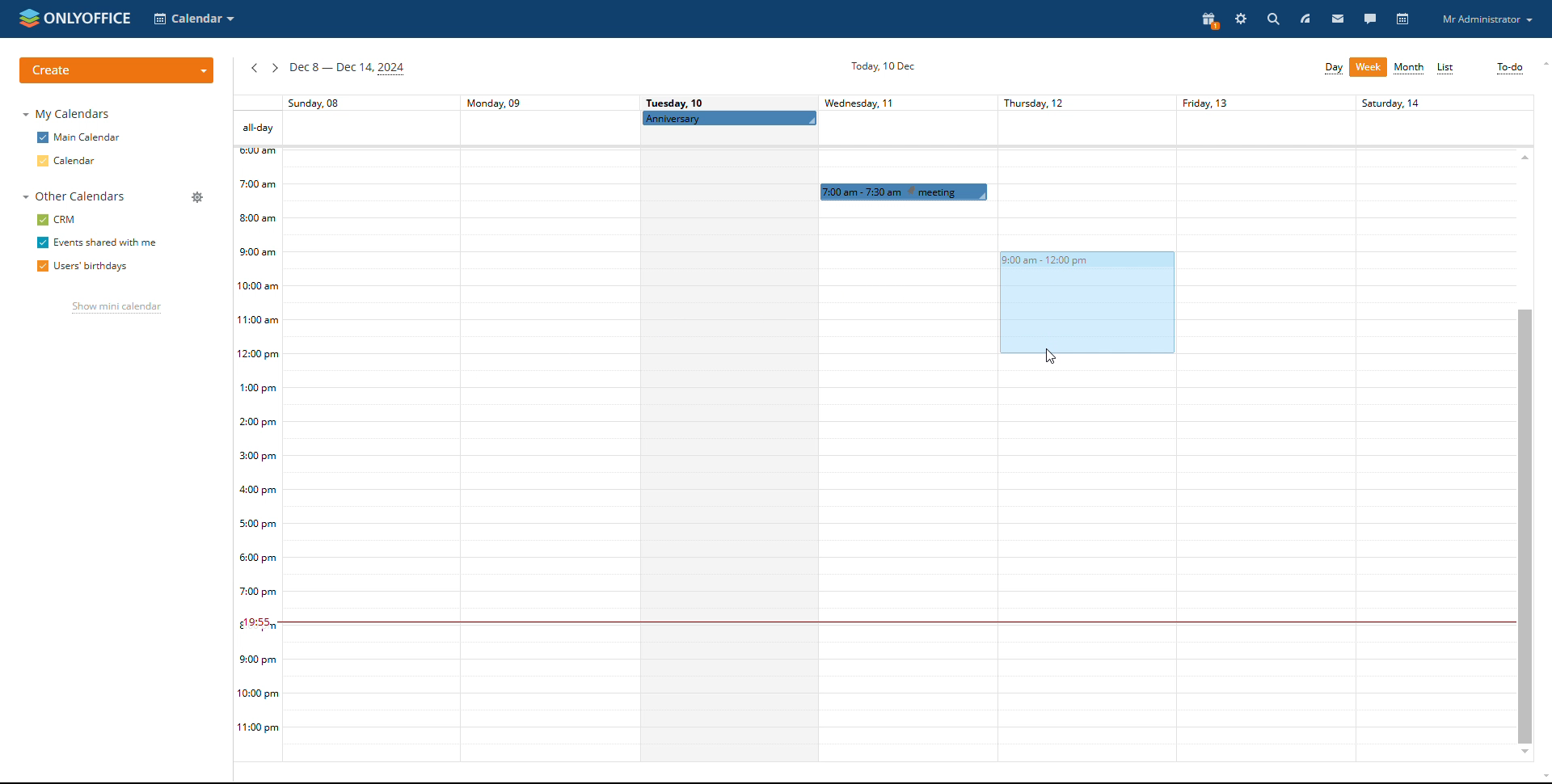  Describe the element at coordinates (42, 137) in the screenshot. I see `checkbox` at that location.